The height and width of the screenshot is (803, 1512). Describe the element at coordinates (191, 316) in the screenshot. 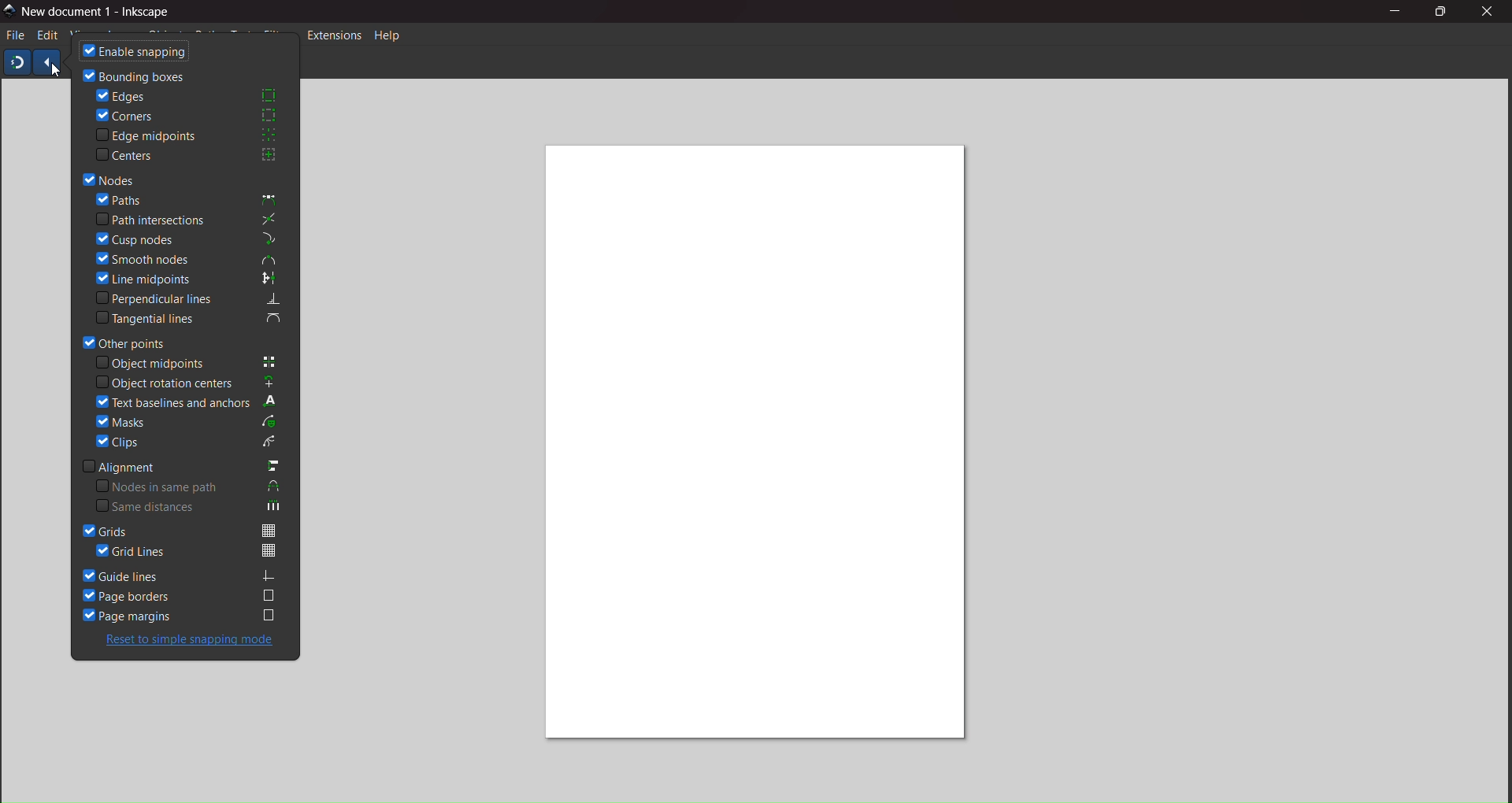

I see `tangential lines` at that location.